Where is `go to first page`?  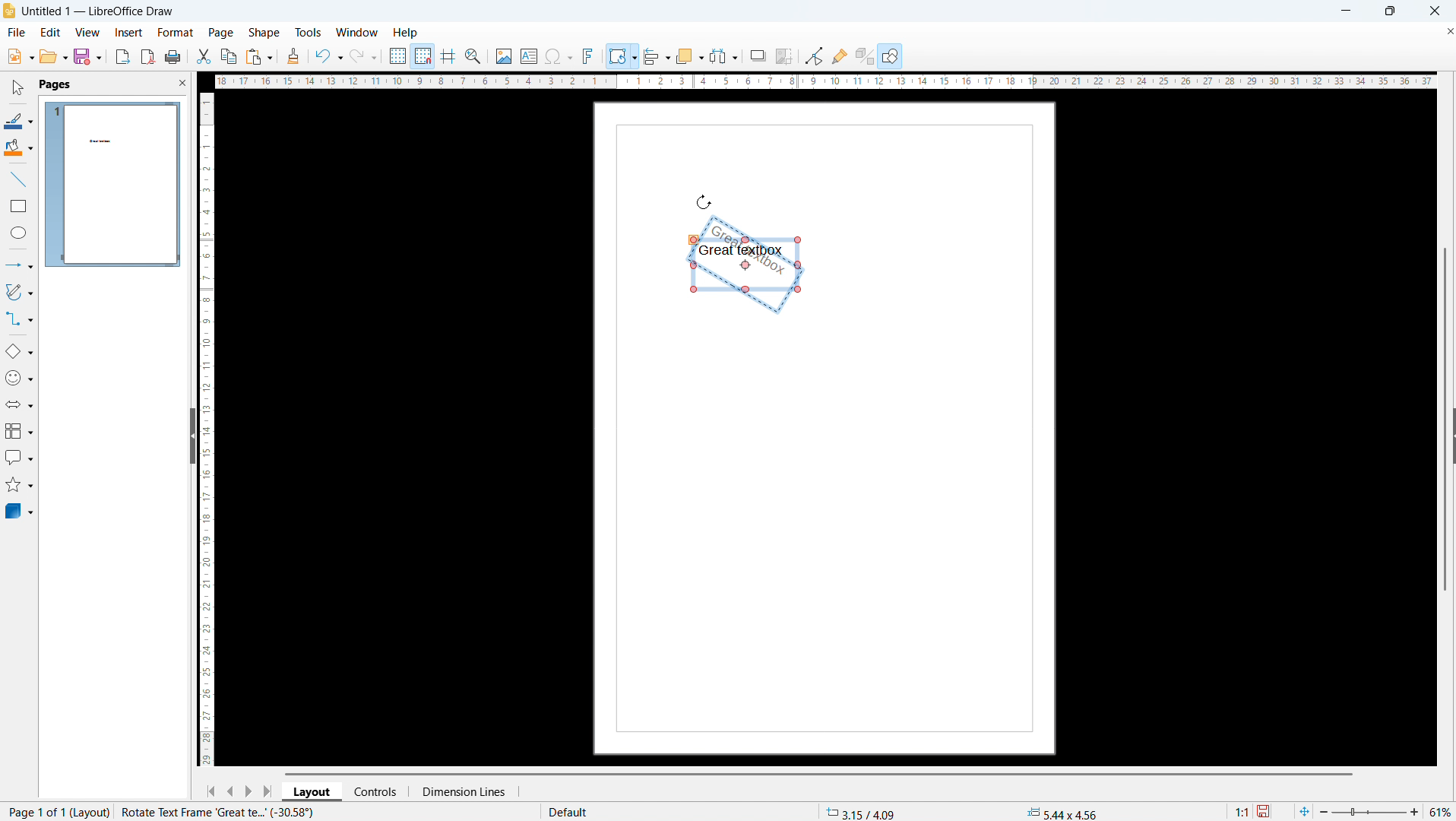 go to first page is located at coordinates (210, 791).